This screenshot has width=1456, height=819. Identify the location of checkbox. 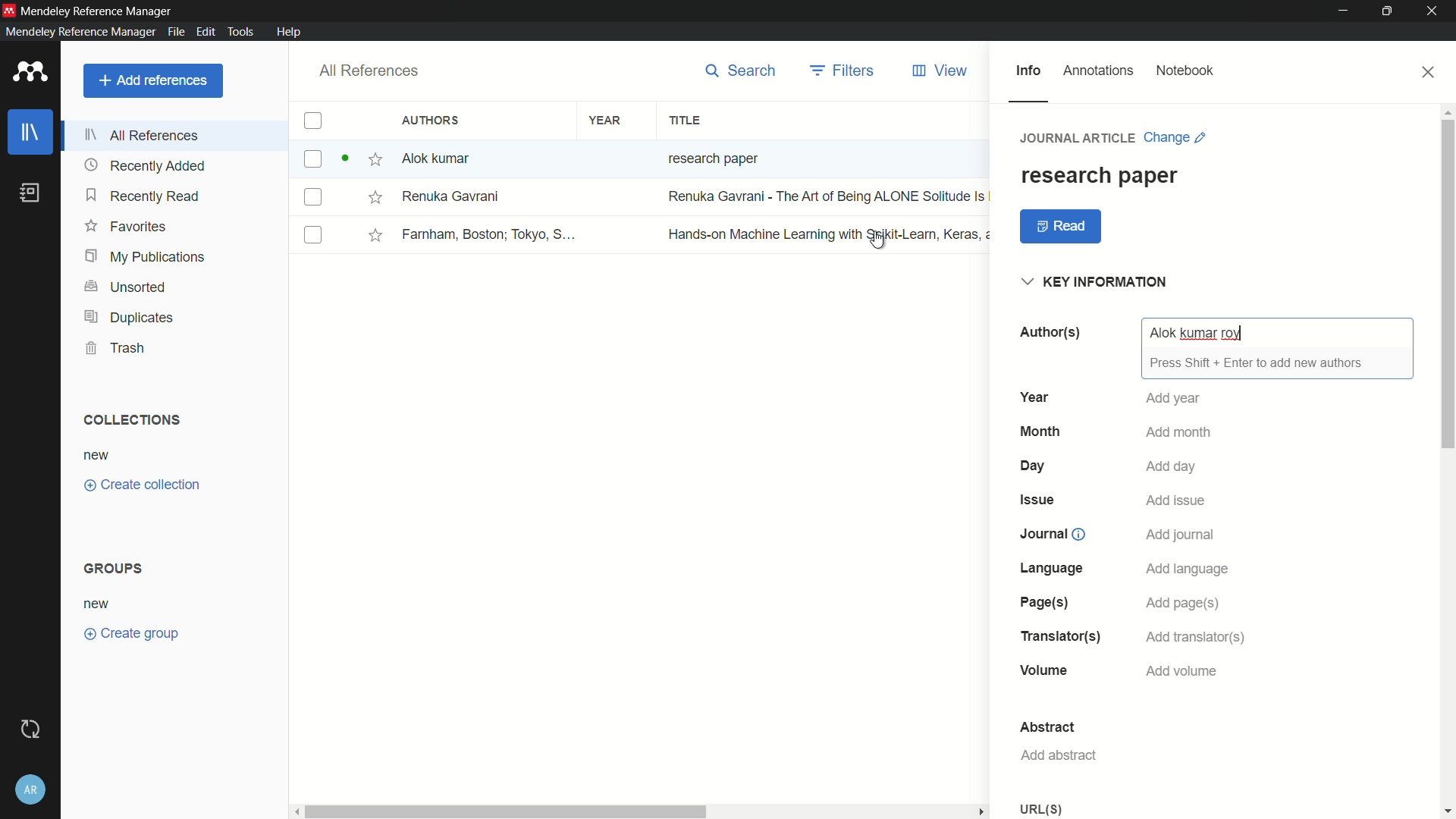
(312, 121).